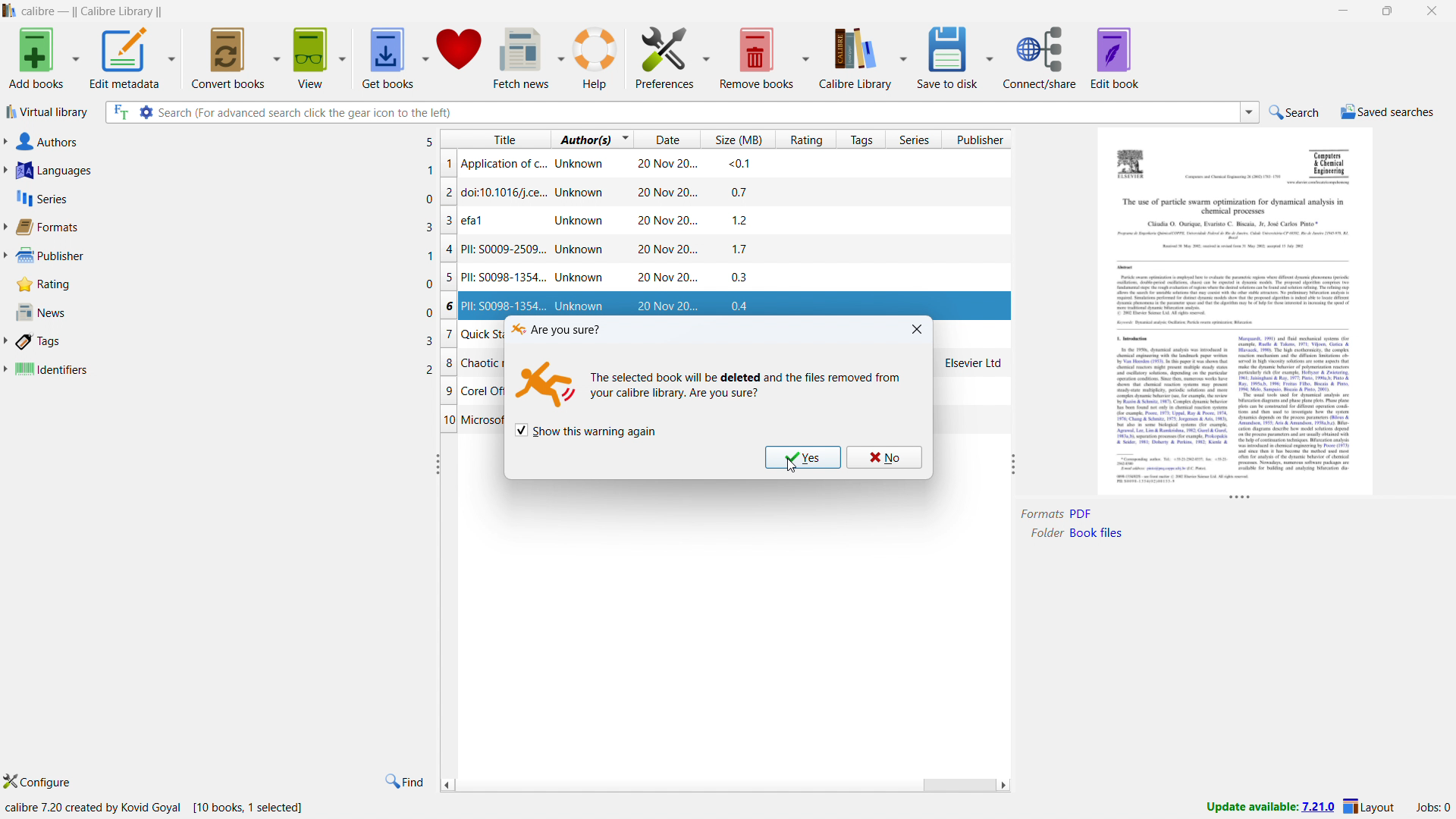 Image resolution: width=1456 pixels, height=819 pixels. I want to click on add books, so click(36, 56).